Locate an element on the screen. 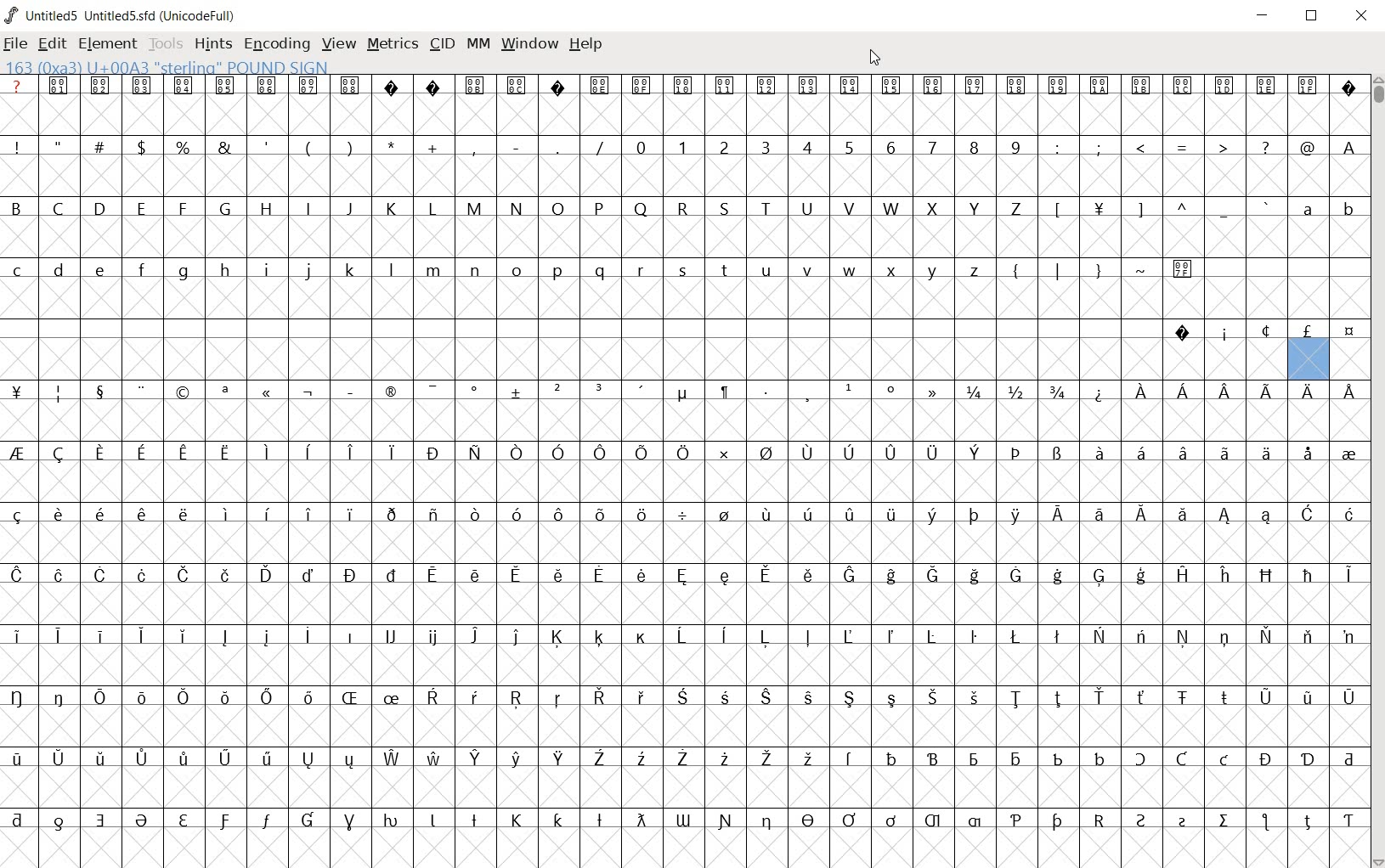 The image size is (1385, 868). M is located at coordinates (473, 207).